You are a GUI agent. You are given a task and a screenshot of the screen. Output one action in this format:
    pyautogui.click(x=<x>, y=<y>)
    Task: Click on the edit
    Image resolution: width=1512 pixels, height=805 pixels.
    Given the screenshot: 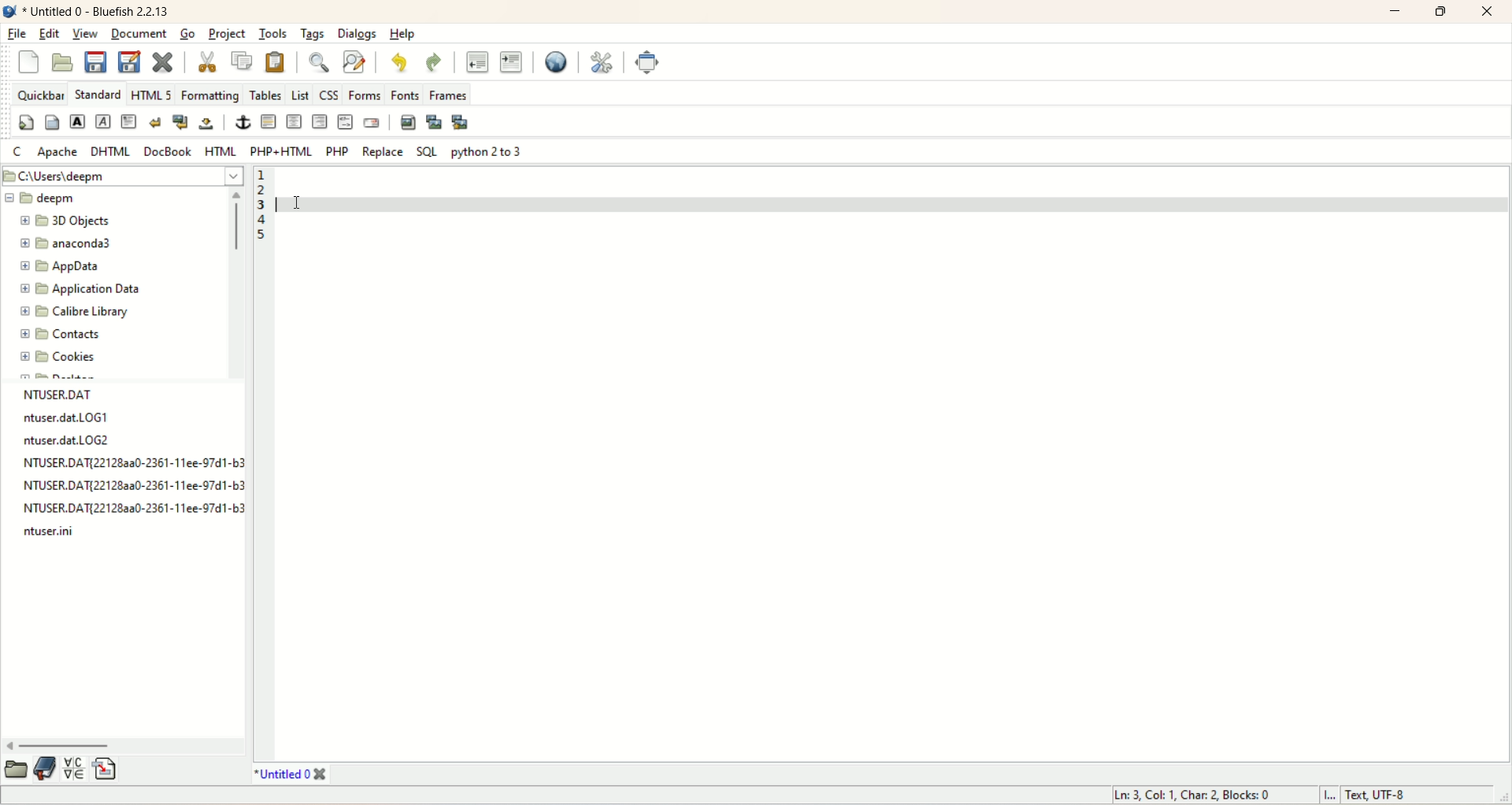 What is the action you would take?
    pyautogui.click(x=49, y=34)
    